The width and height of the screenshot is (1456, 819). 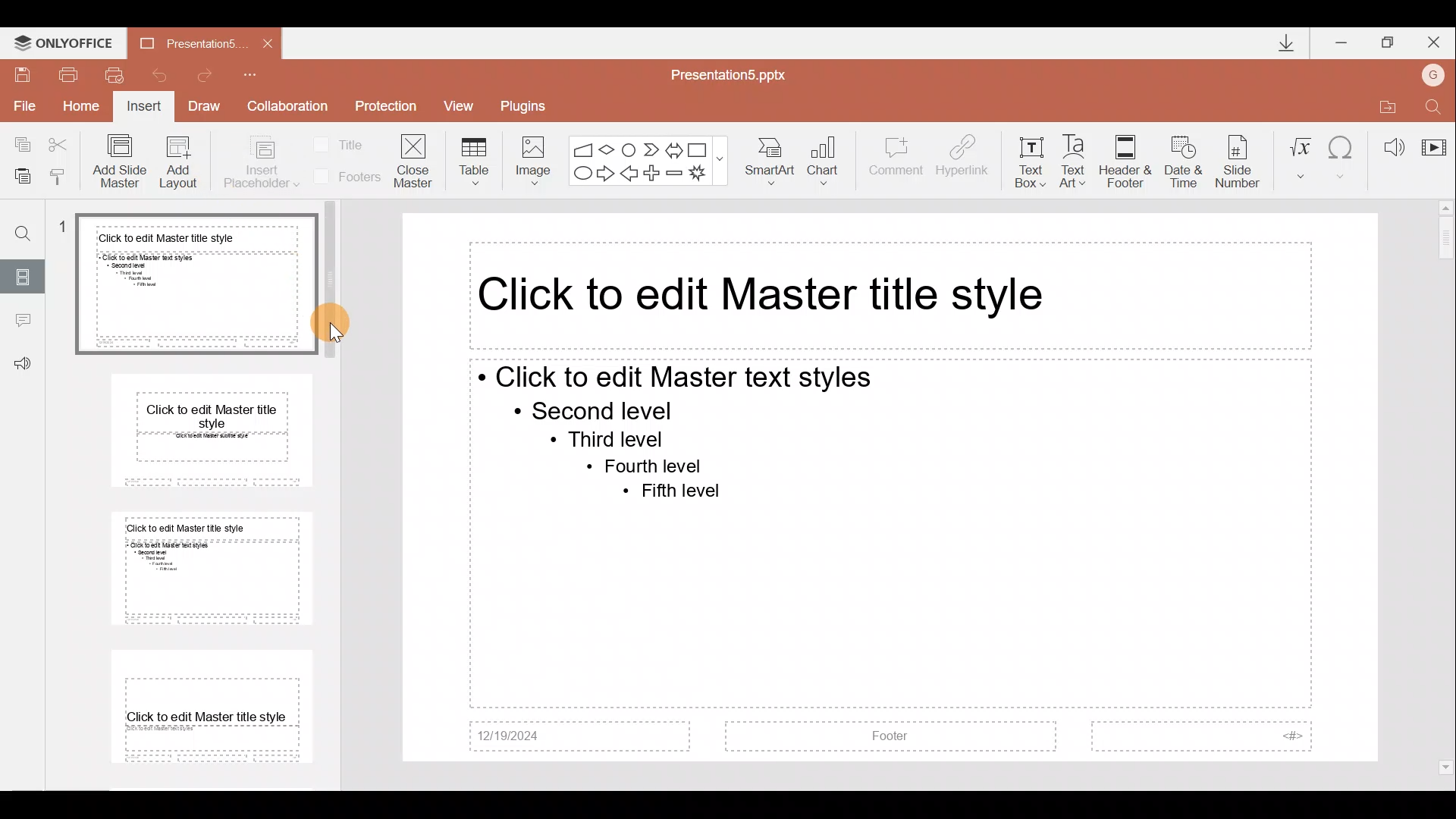 I want to click on Slide 2, so click(x=199, y=437).